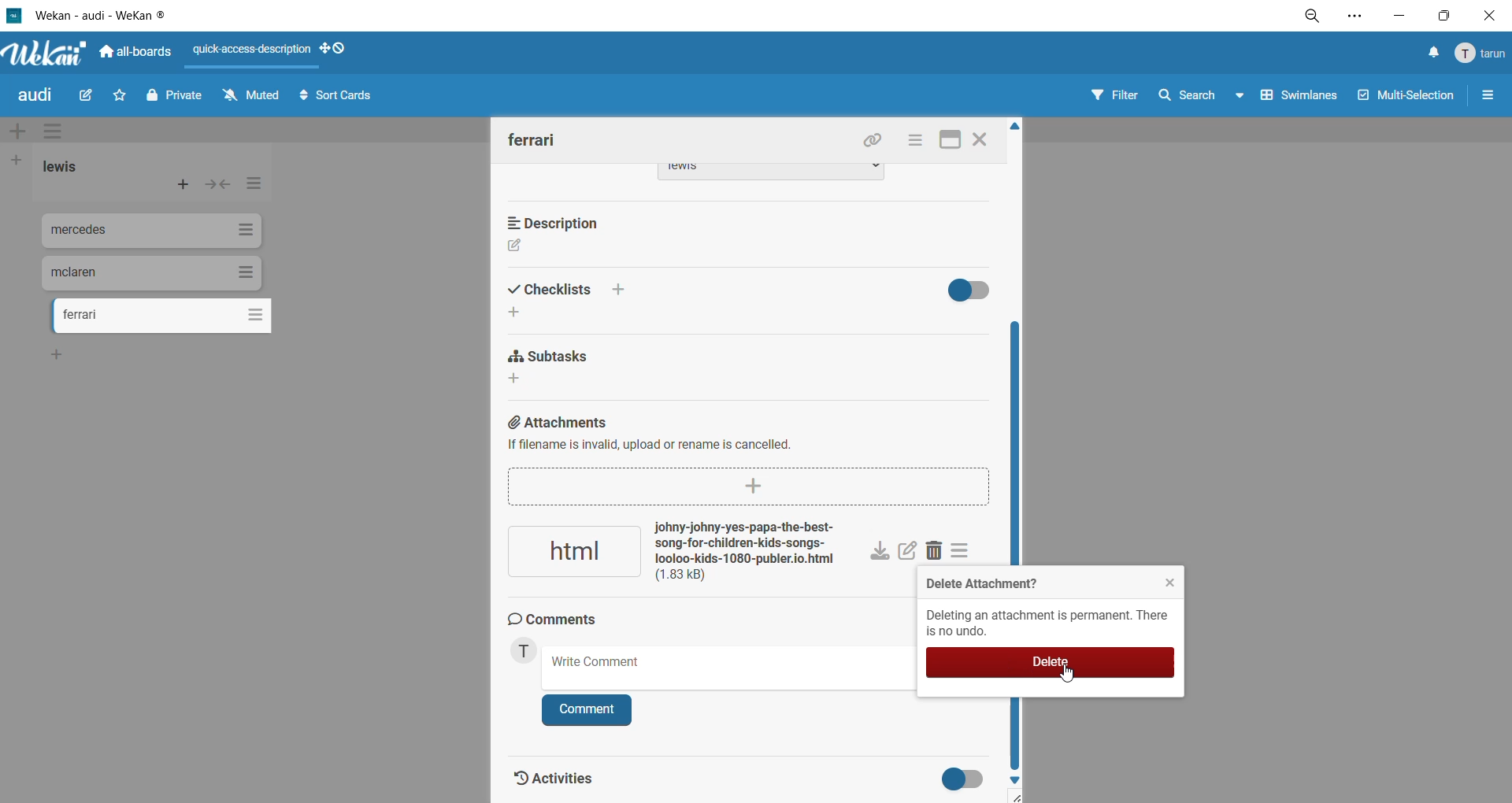  What do you see at coordinates (1489, 98) in the screenshot?
I see `sidebar` at bounding box center [1489, 98].